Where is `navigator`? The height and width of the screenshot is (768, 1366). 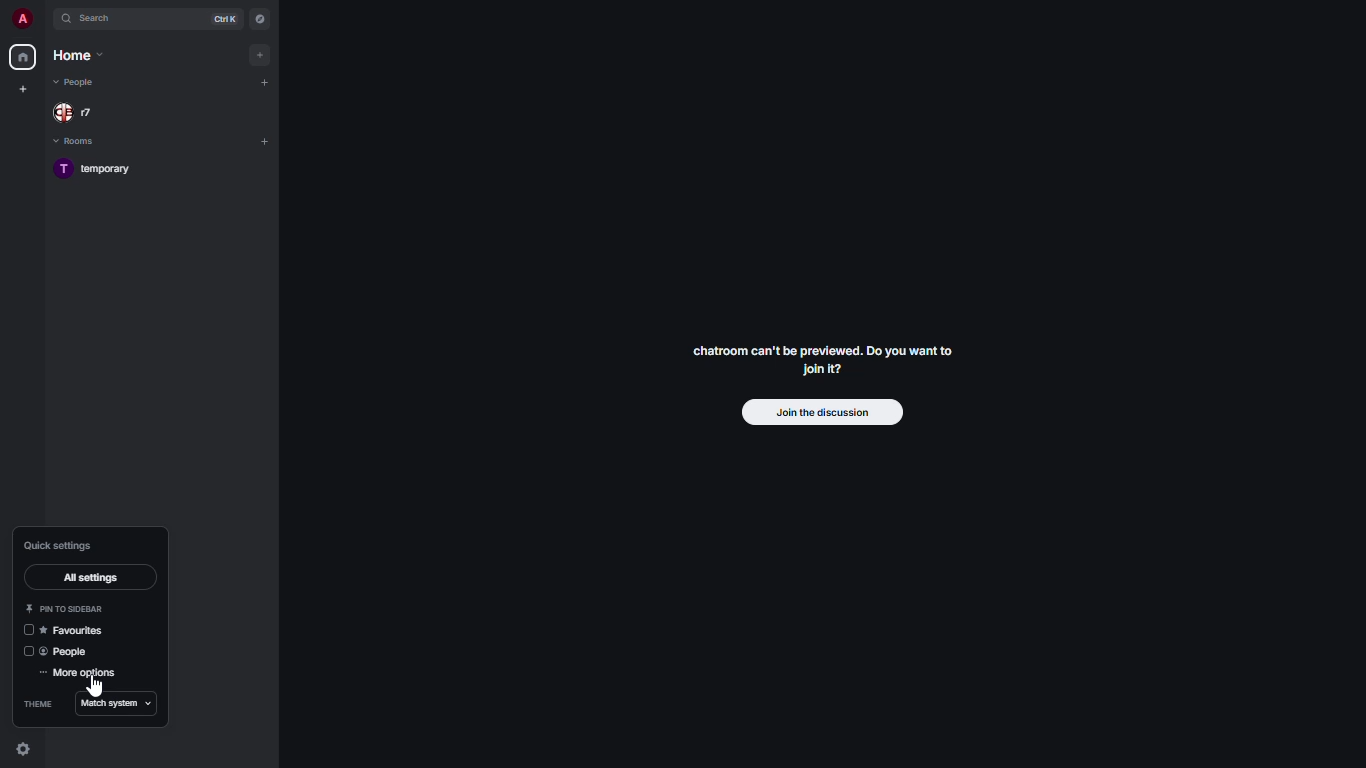
navigator is located at coordinates (259, 18).